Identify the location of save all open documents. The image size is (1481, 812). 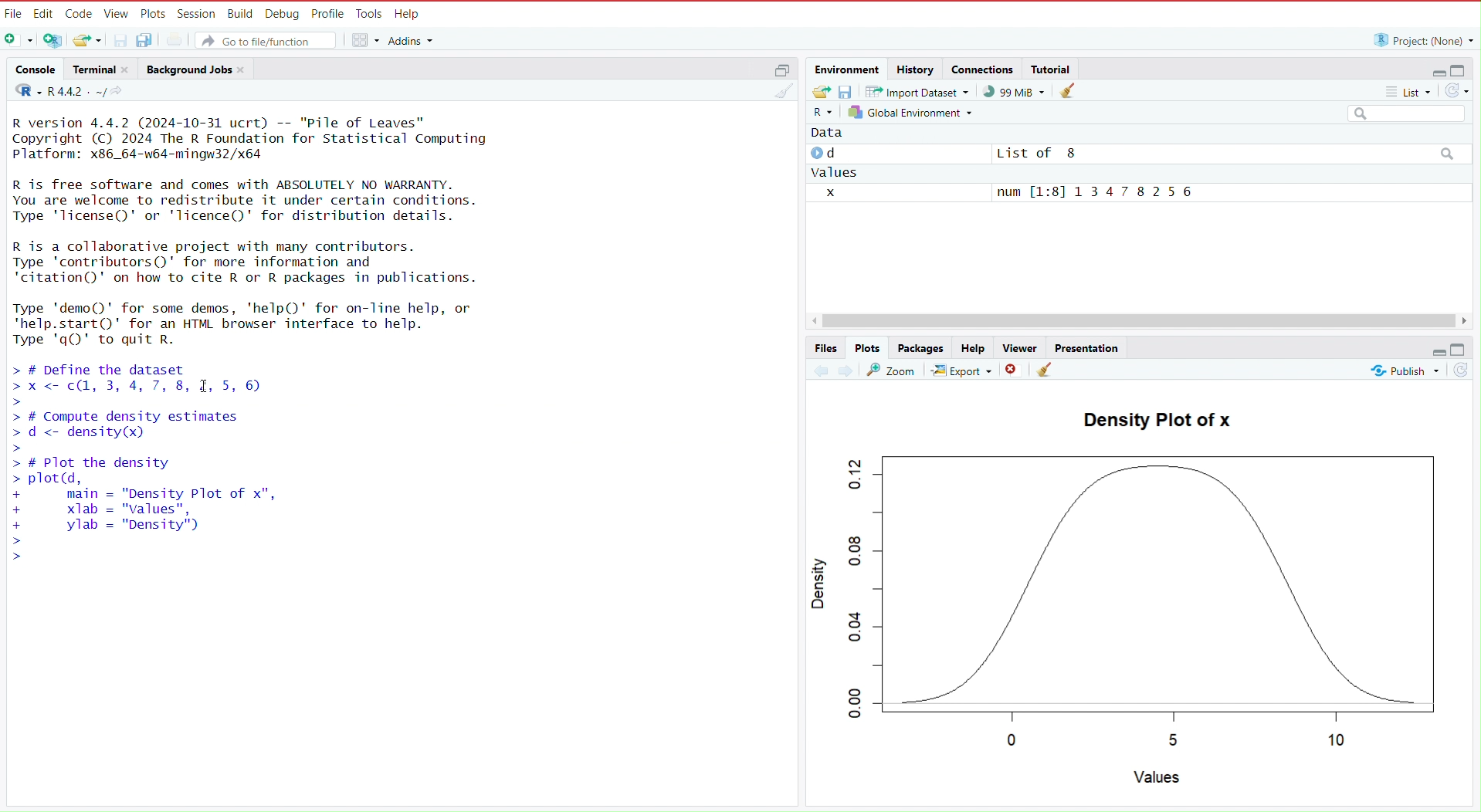
(147, 41).